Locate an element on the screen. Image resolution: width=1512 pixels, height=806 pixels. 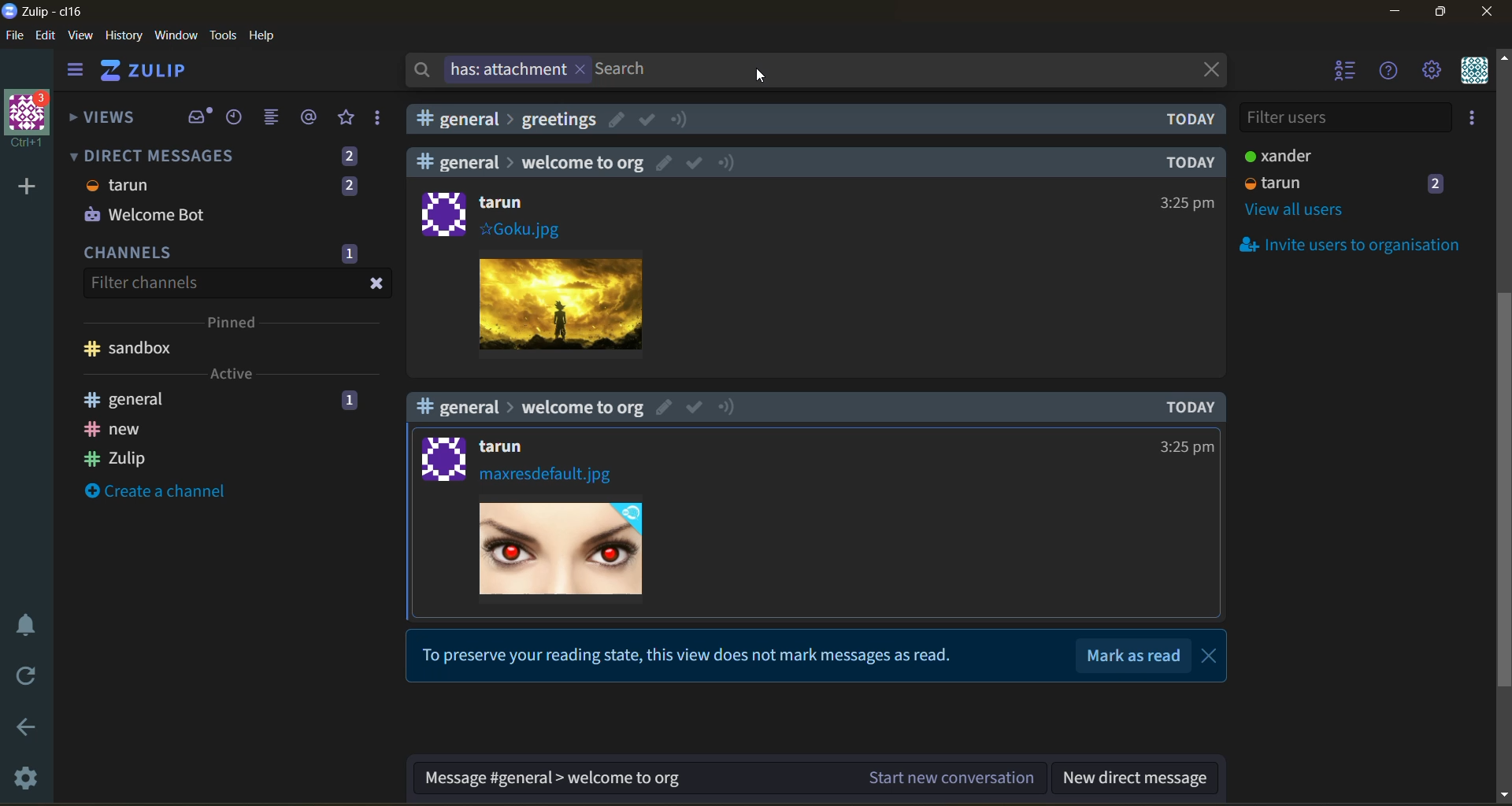
tarun is located at coordinates (505, 201).